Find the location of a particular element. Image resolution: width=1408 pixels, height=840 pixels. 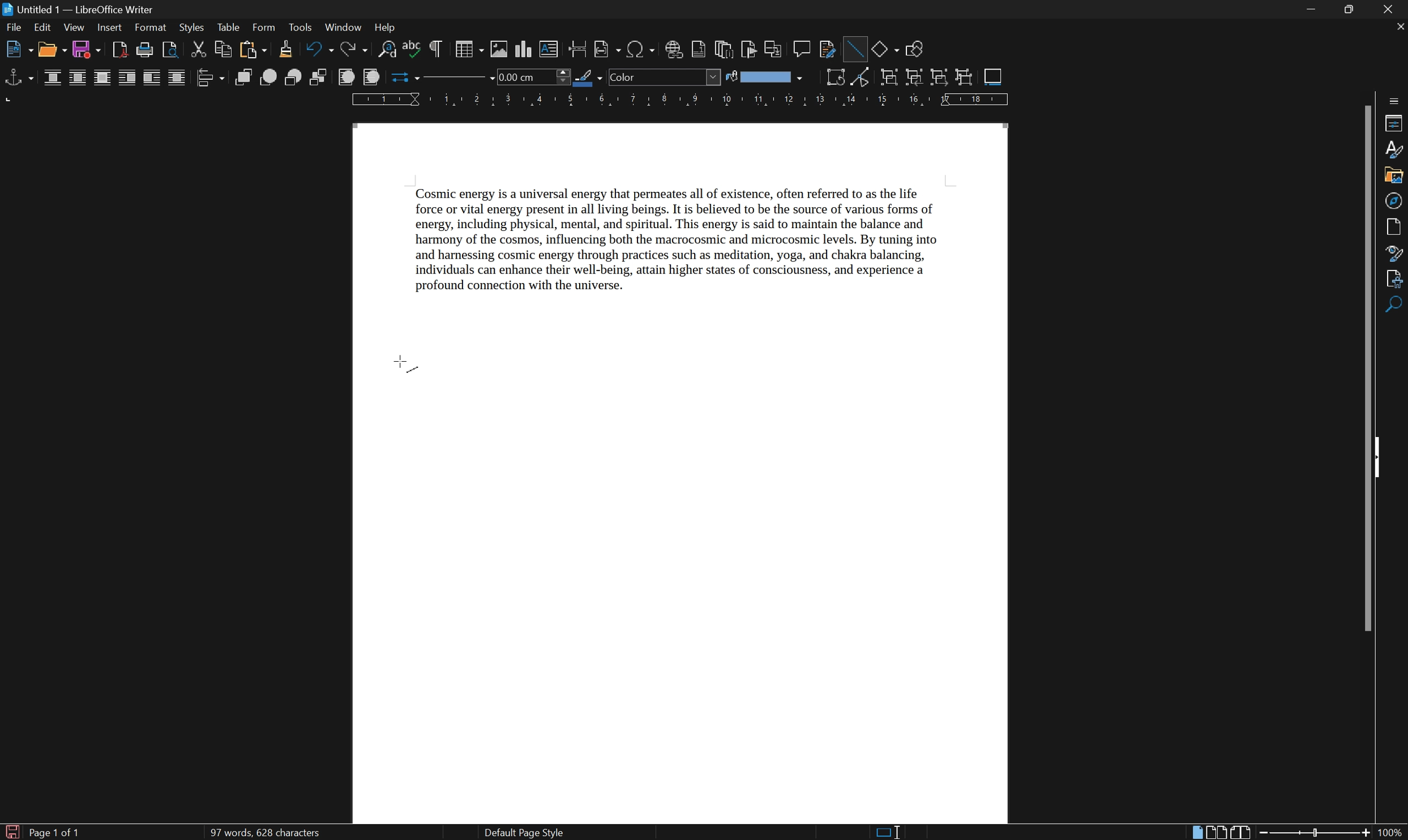

export directly as PDF is located at coordinates (118, 50).